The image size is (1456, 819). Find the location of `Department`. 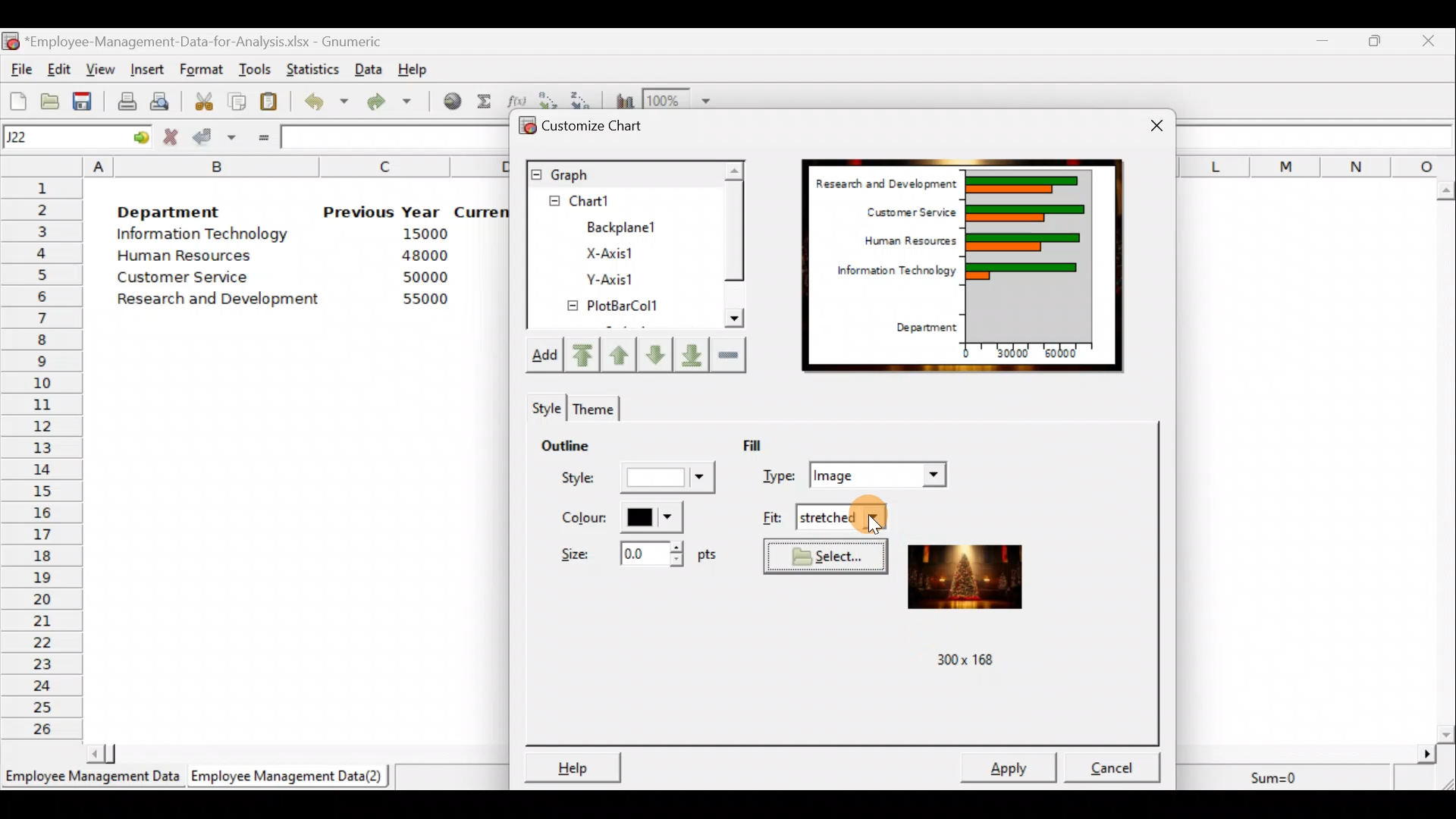

Department is located at coordinates (180, 212).